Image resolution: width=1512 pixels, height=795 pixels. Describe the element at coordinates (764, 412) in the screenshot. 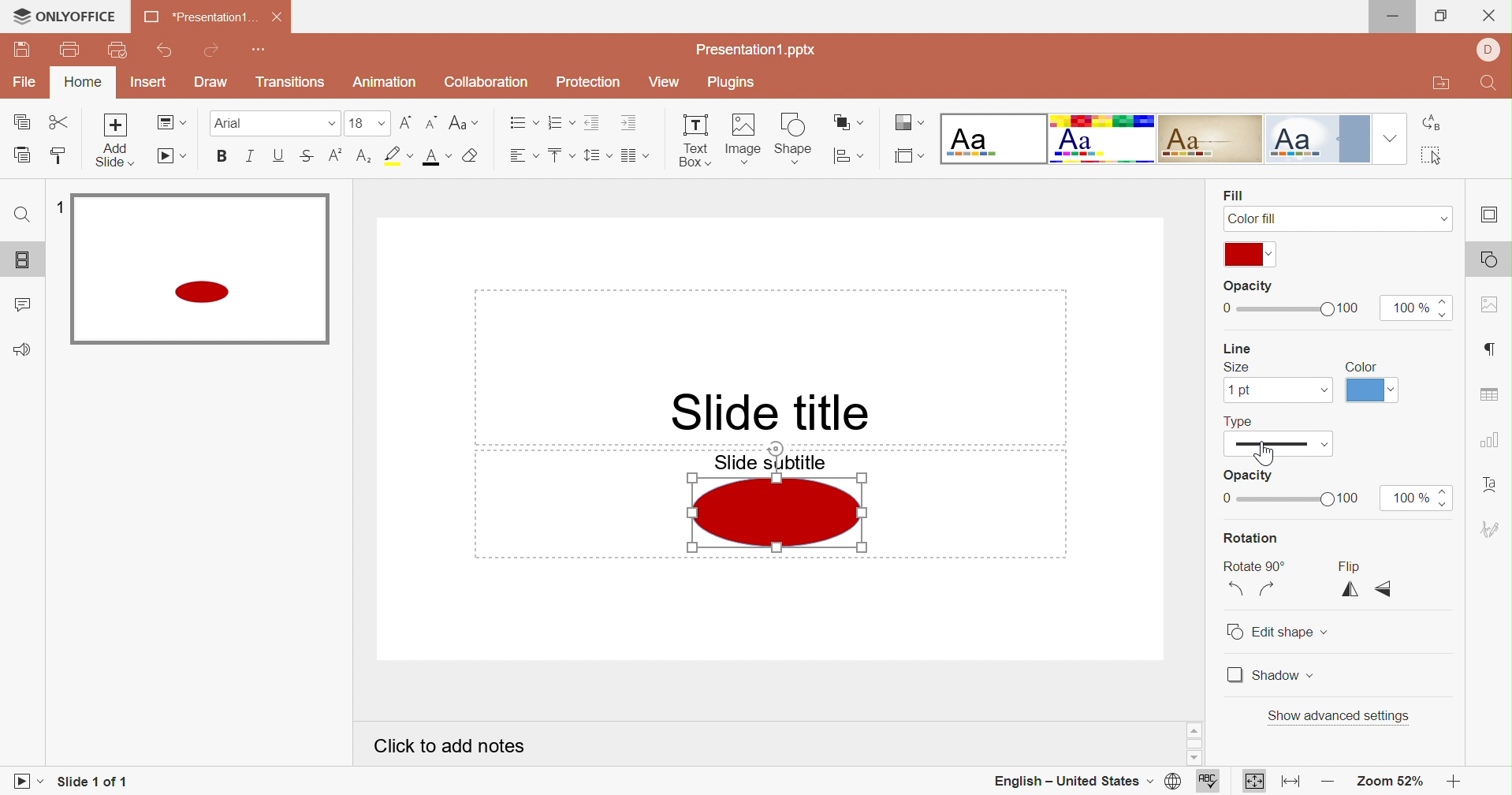

I see `Slide title` at that location.